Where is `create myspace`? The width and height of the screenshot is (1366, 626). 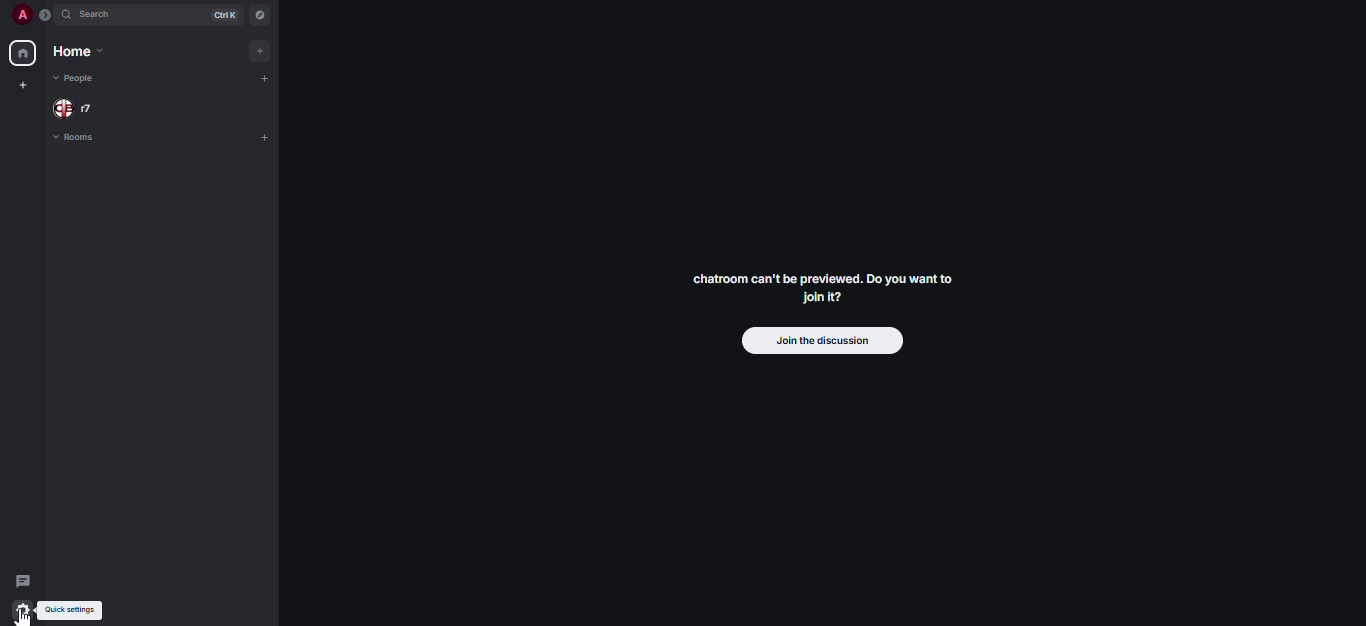
create myspace is located at coordinates (22, 83).